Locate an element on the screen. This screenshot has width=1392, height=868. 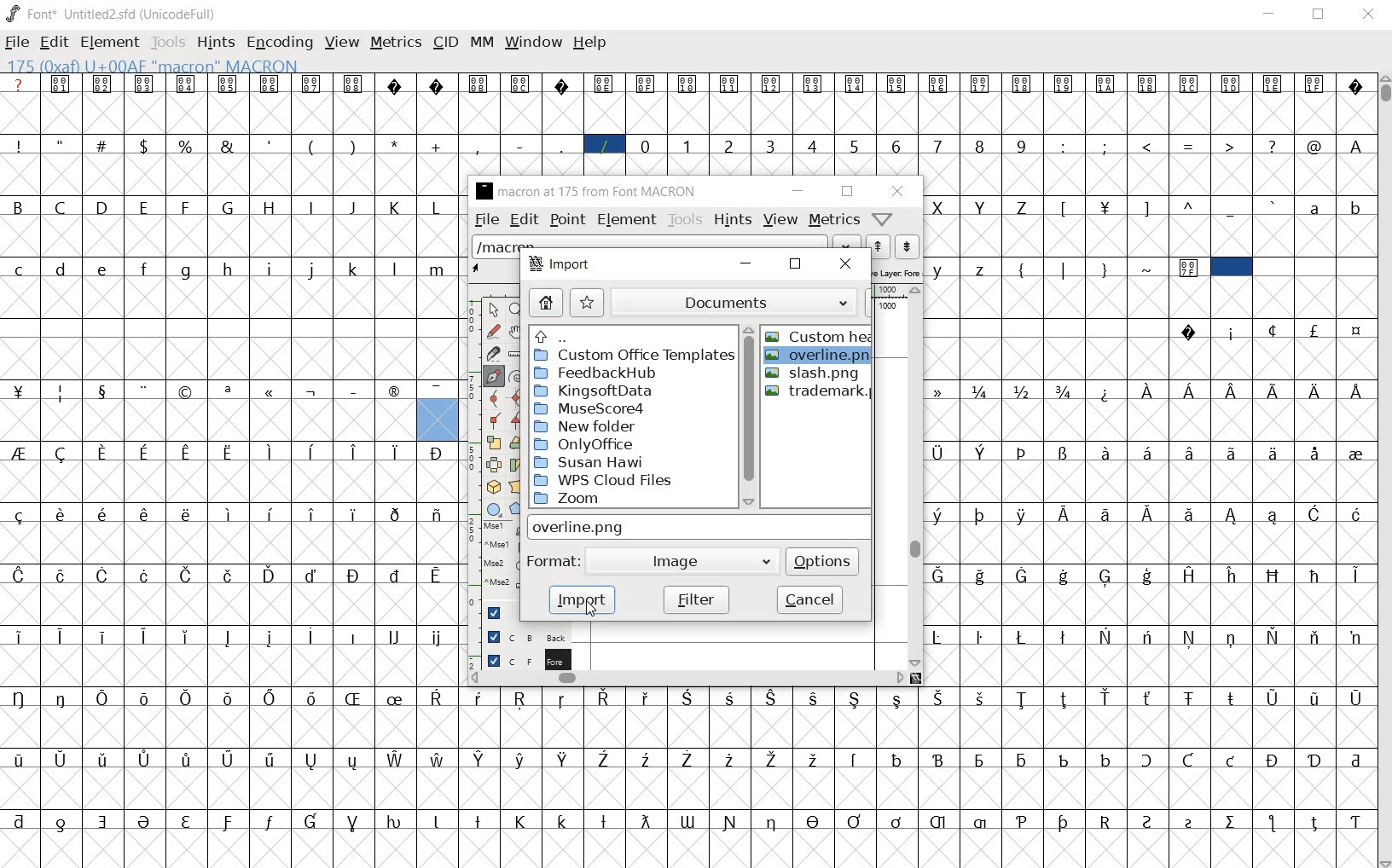
knife is located at coordinates (492, 354).